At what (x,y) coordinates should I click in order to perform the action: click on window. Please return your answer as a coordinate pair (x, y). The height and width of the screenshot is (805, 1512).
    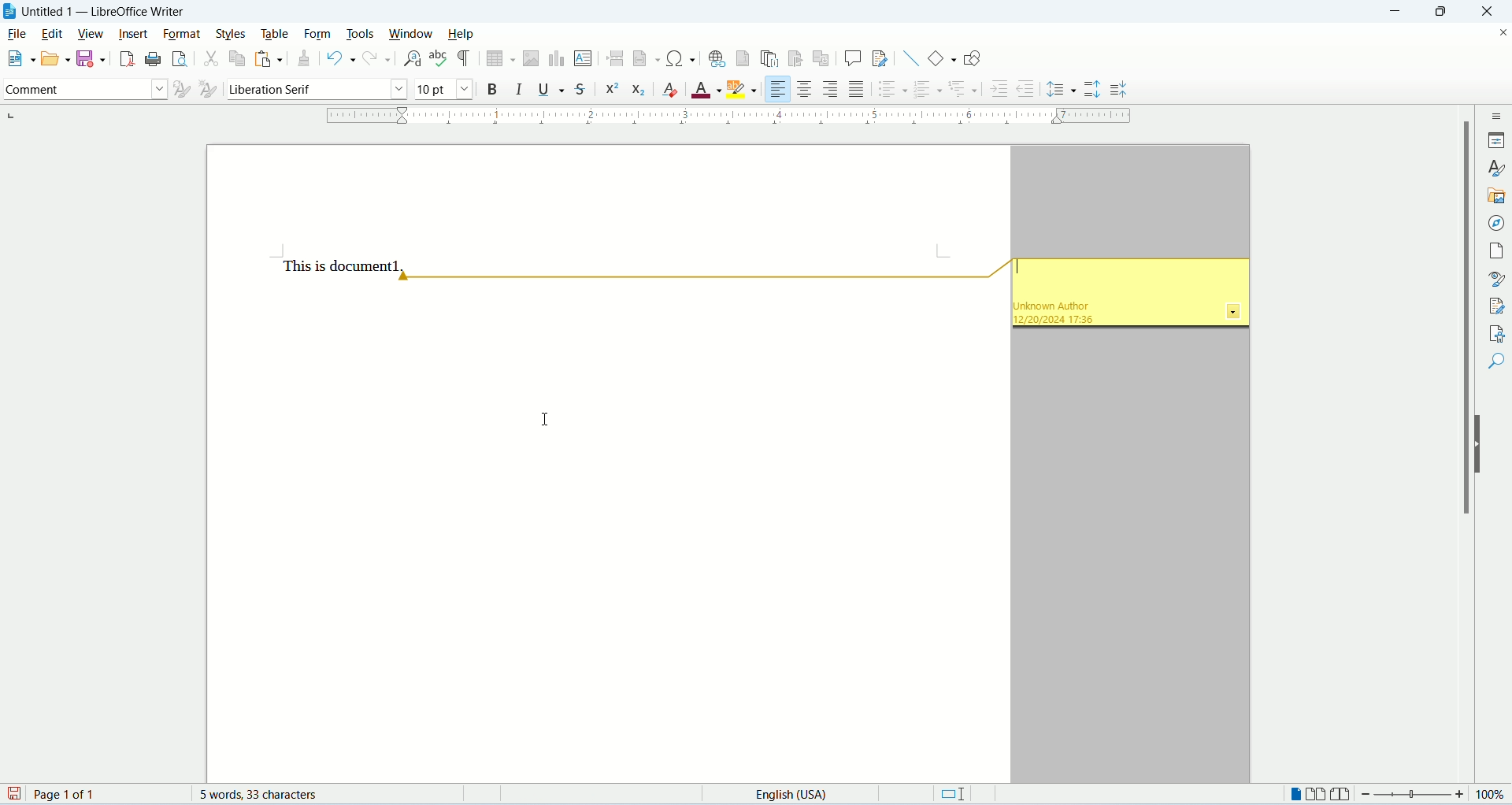
    Looking at the image, I should click on (415, 35).